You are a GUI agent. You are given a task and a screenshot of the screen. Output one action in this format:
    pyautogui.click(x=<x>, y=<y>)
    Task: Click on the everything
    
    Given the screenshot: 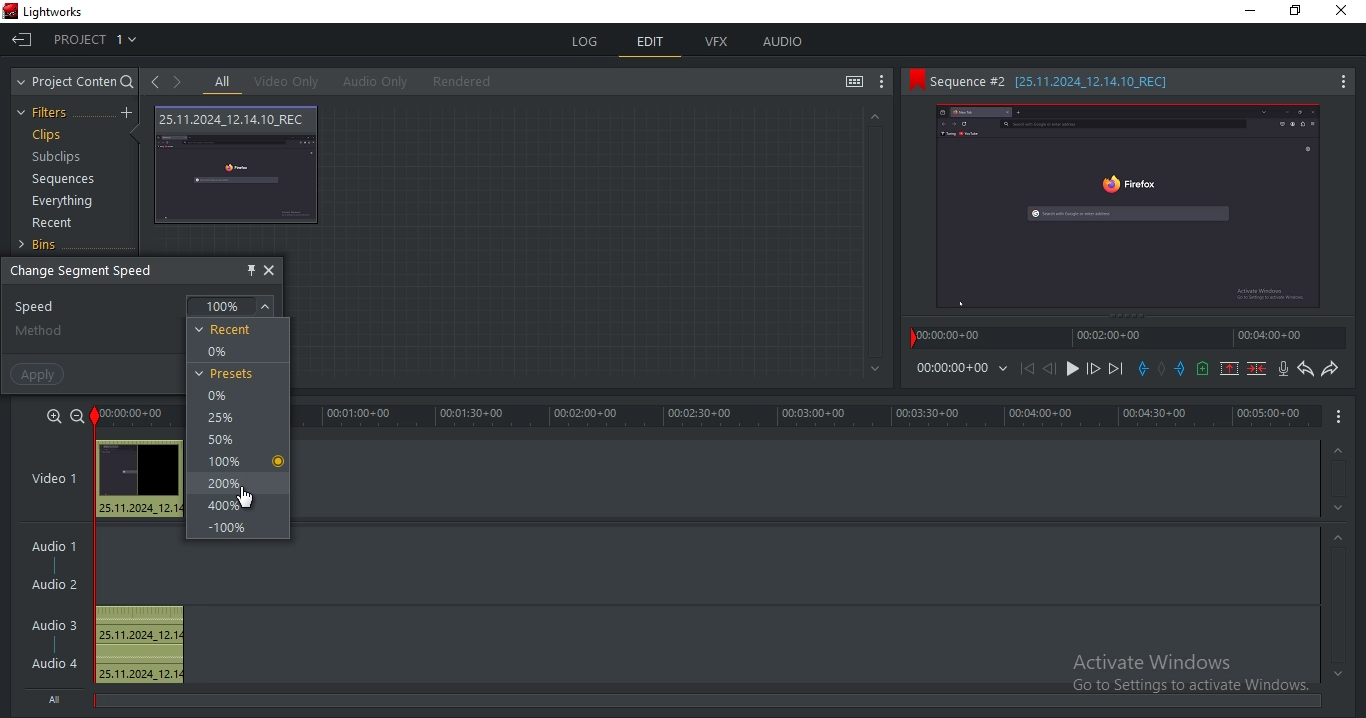 What is the action you would take?
    pyautogui.click(x=62, y=203)
    